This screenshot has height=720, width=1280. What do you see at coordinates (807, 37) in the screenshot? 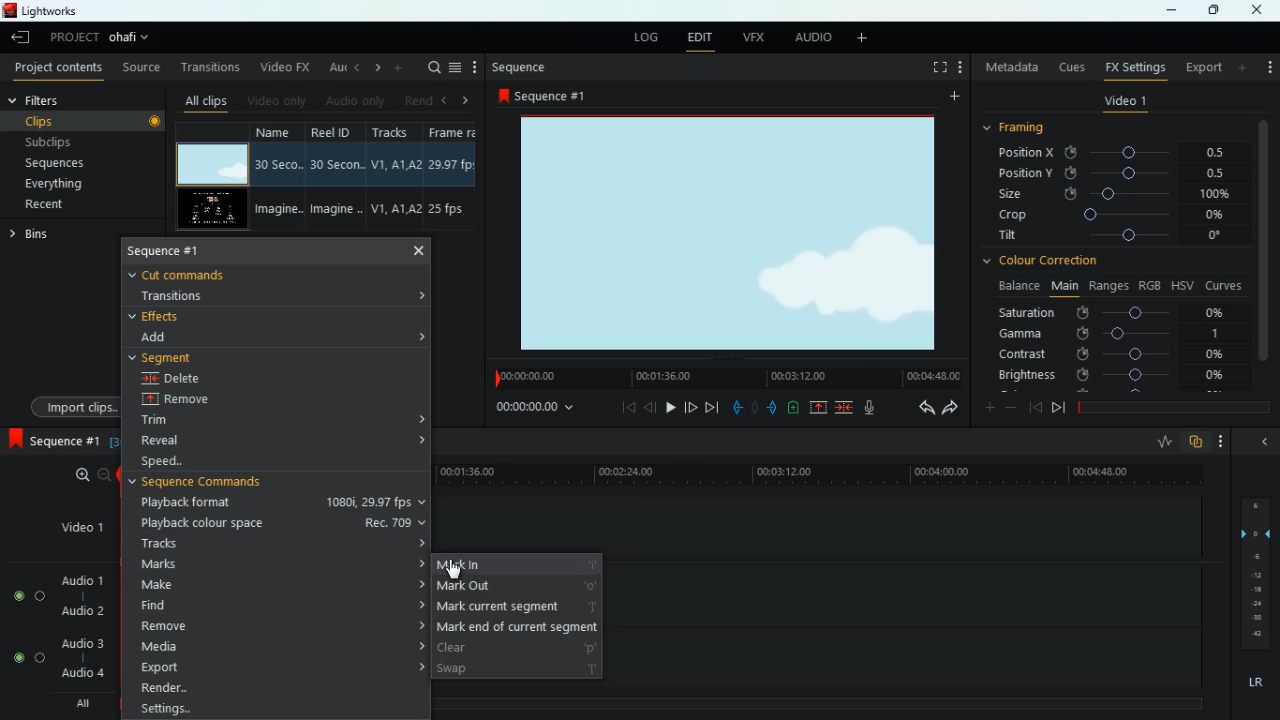
I see `audio` at bounding box center [807, 37].